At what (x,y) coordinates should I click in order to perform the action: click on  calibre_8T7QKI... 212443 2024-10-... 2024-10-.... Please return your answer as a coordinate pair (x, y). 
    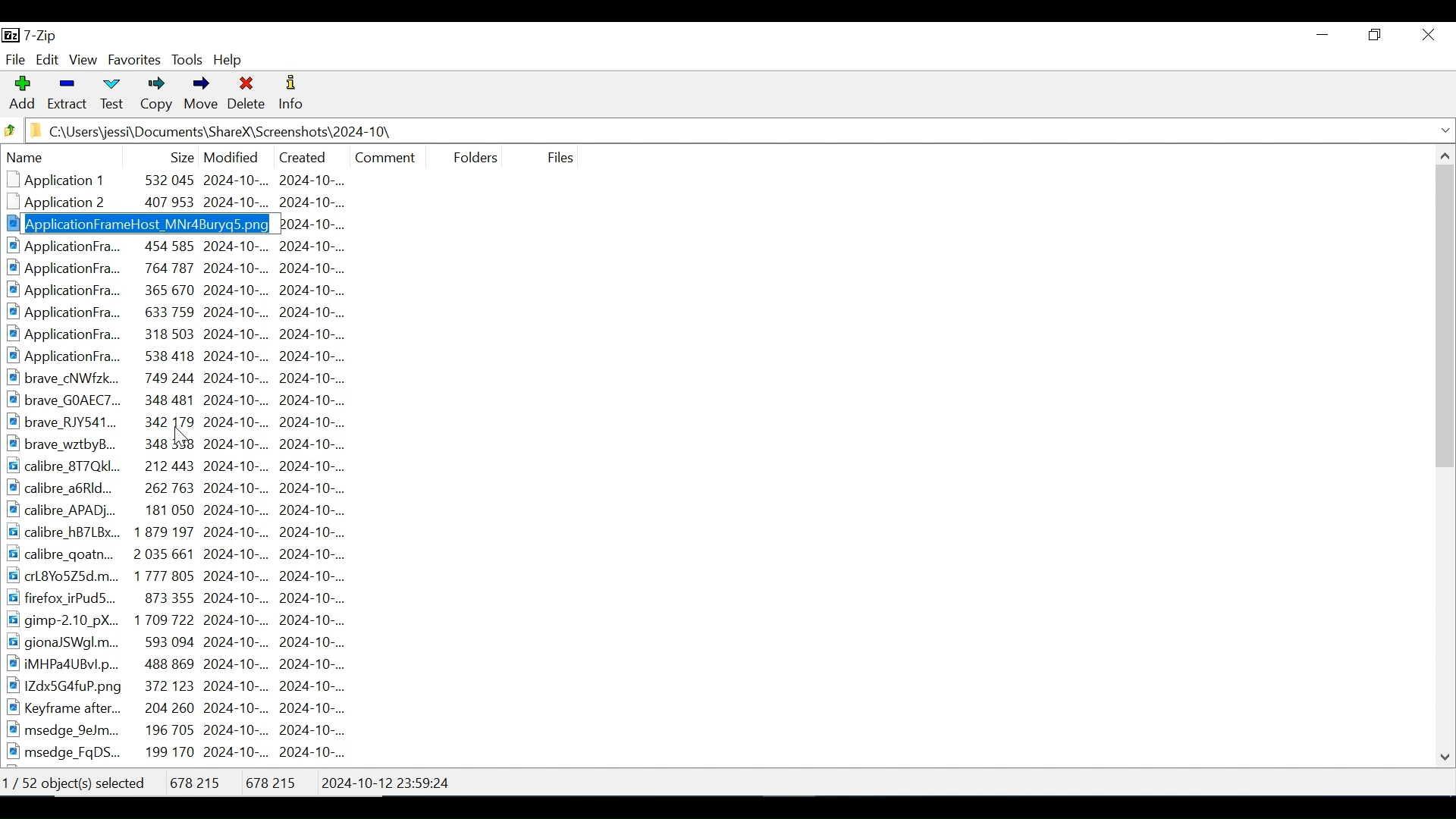
    Looking at the image, I should click on (190, 466).